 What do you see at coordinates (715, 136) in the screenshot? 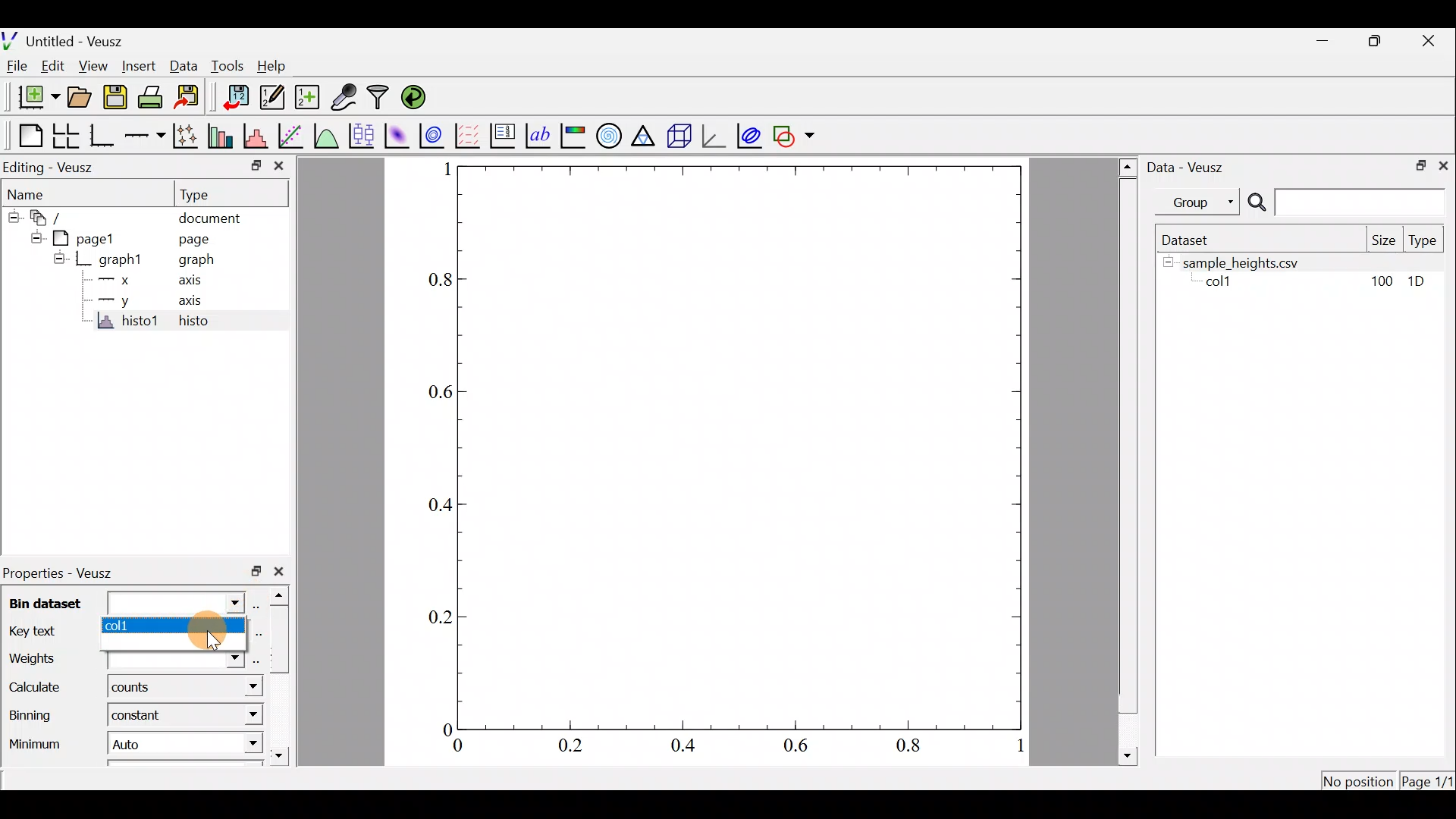
I see `3d graph` at bounding box center [715, 136].